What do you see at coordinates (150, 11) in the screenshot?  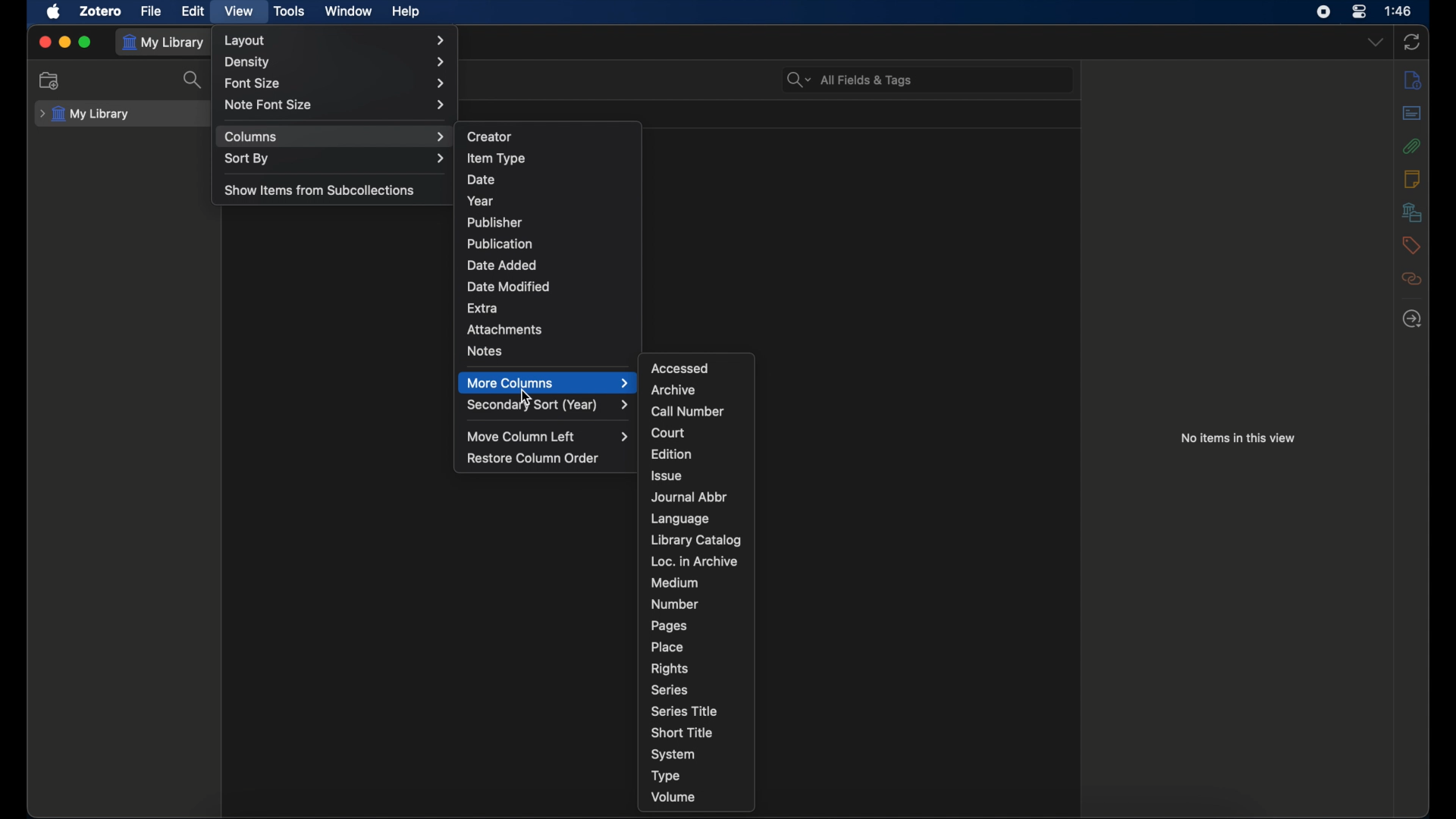 I see `file` at bounding box center [150, 11].